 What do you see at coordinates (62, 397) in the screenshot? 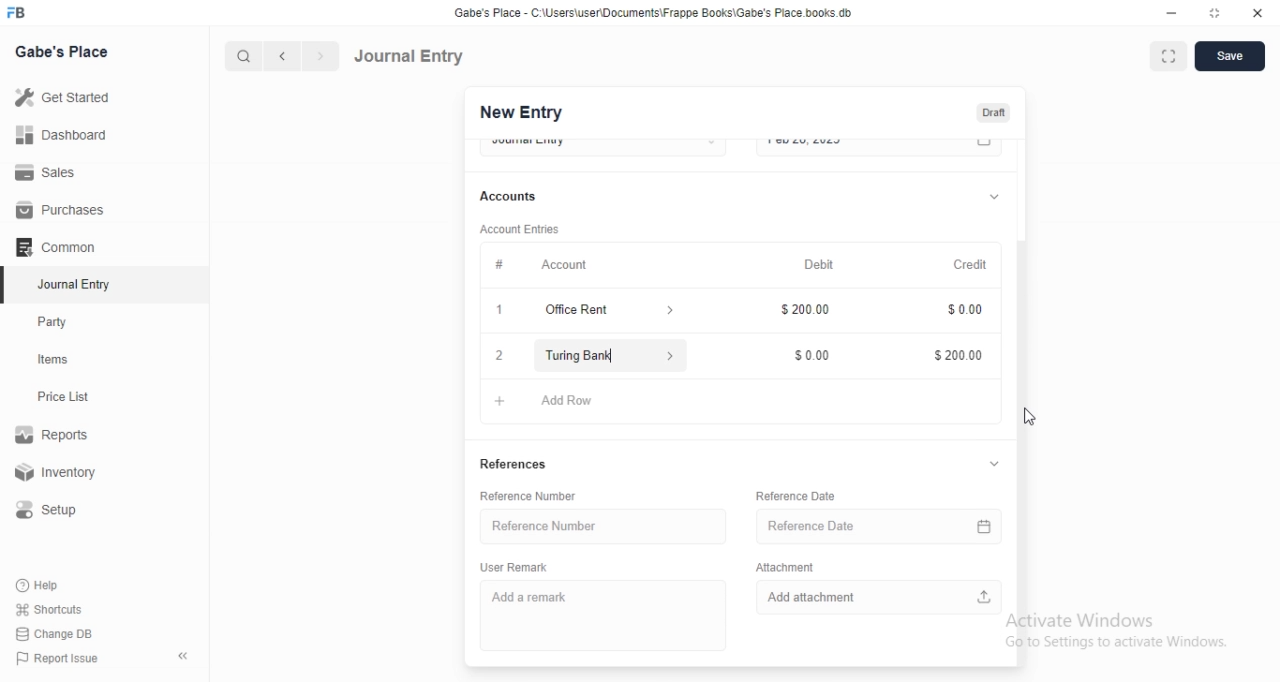
I see `Price List` at bounding box center [62, 397].